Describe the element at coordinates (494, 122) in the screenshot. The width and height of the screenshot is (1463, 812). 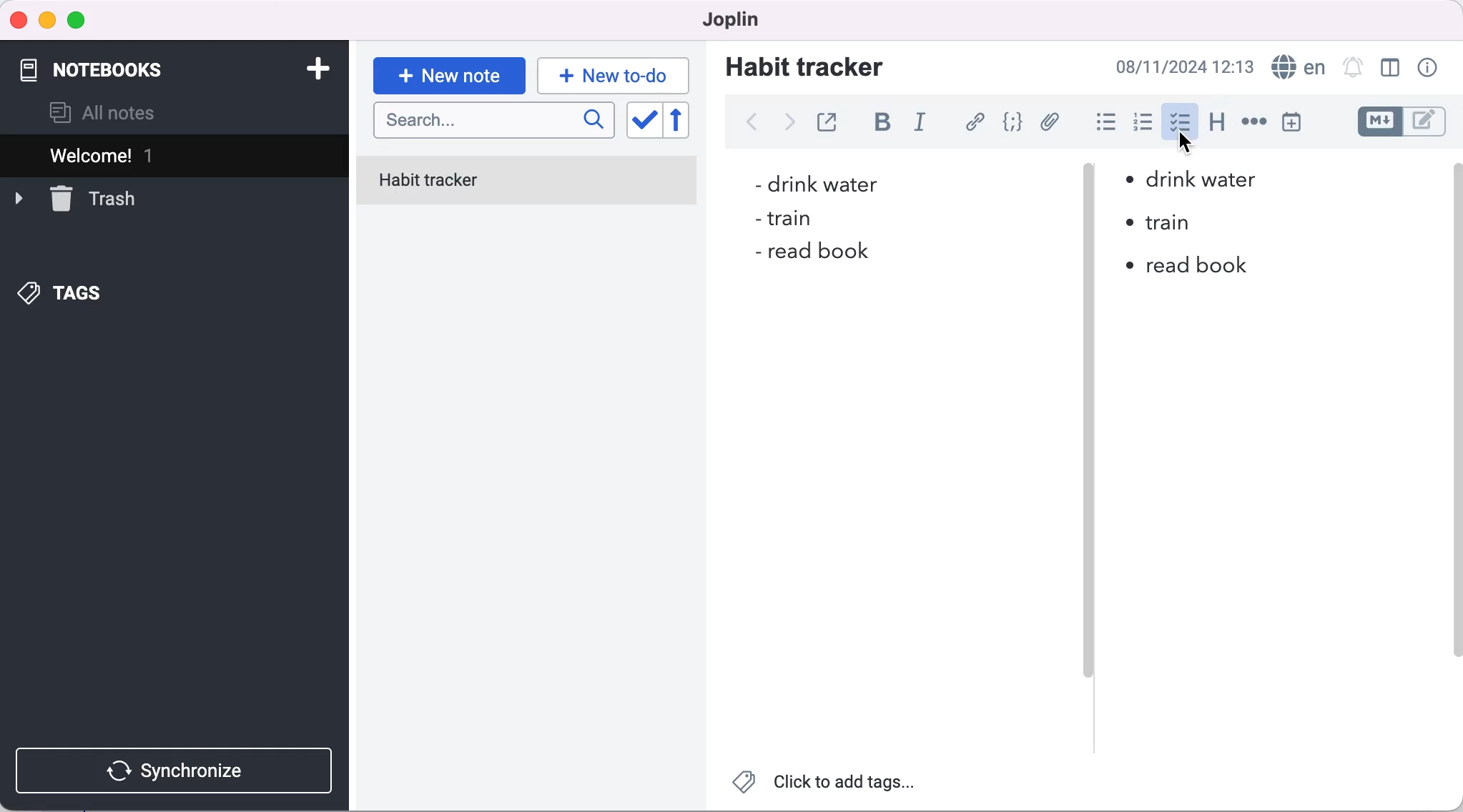
I see `search` at that location.